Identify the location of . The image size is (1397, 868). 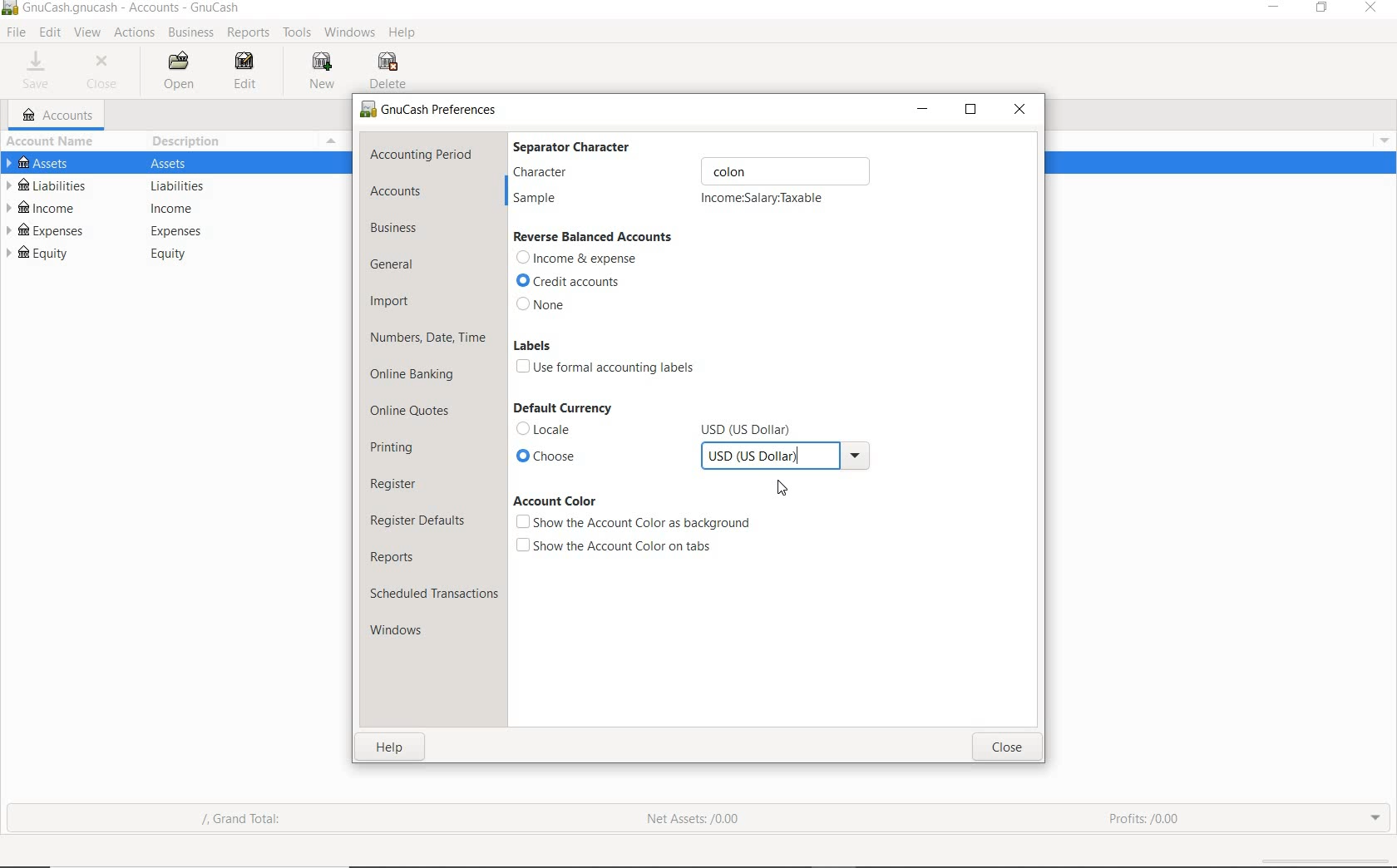
(754, 424).